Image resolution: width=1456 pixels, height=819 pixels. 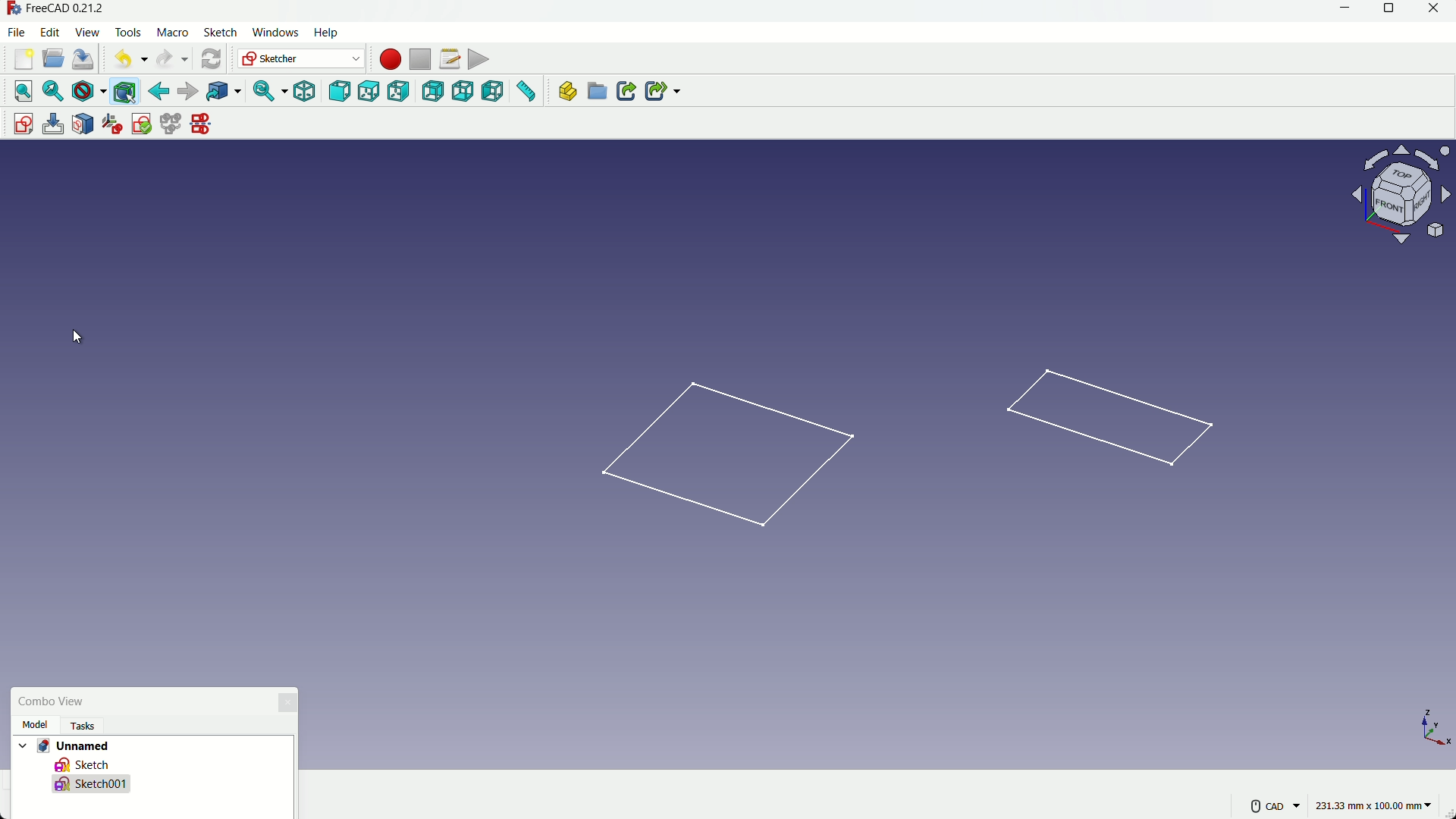 I want to click on open file, so click(x=51, y=60).